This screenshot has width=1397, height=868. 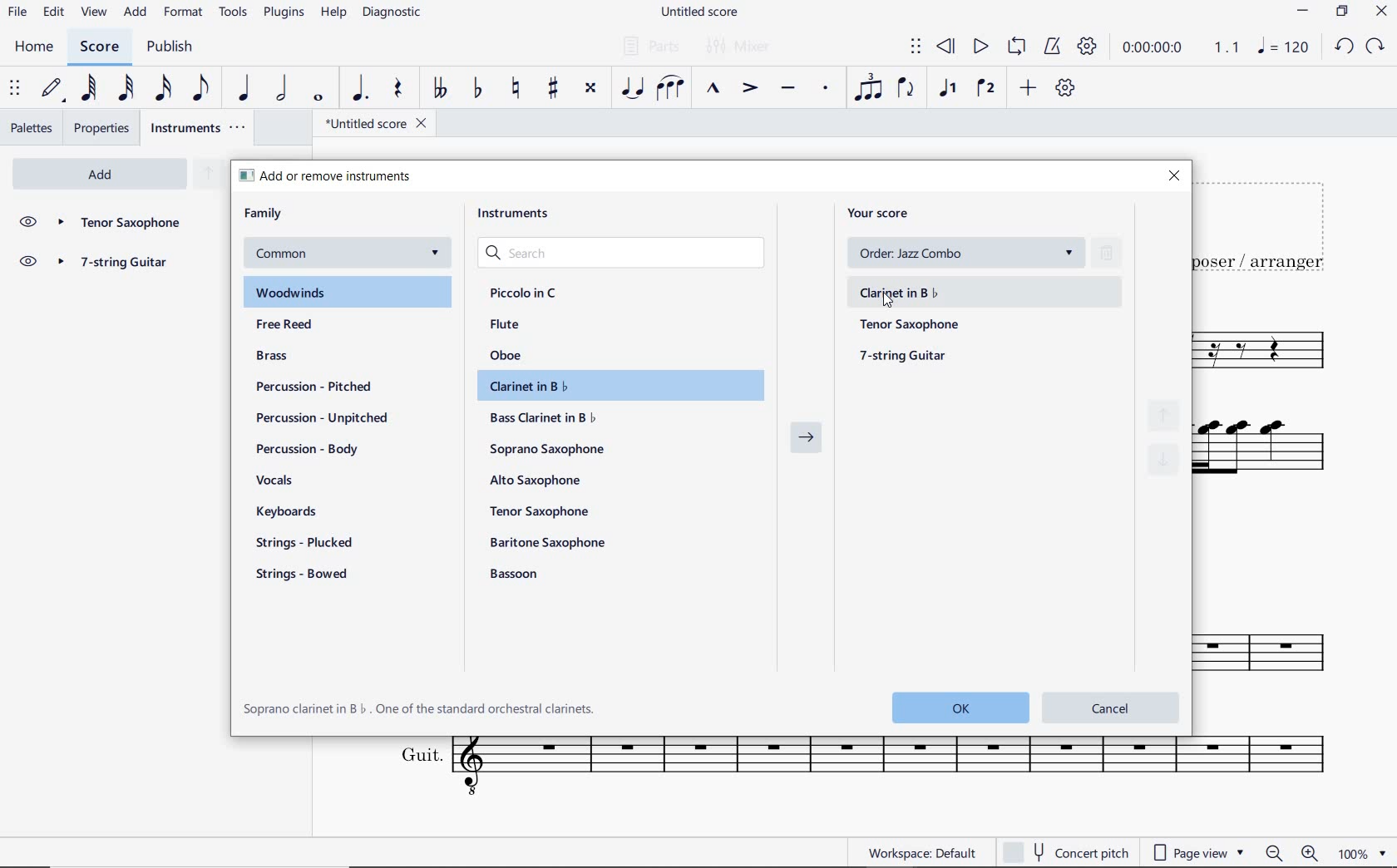 What do you see at coordinates (1293, 853) in the screenshot?
I see `ZOOM OUT OR ZOOM IN` at bounding box center [1293, 853].